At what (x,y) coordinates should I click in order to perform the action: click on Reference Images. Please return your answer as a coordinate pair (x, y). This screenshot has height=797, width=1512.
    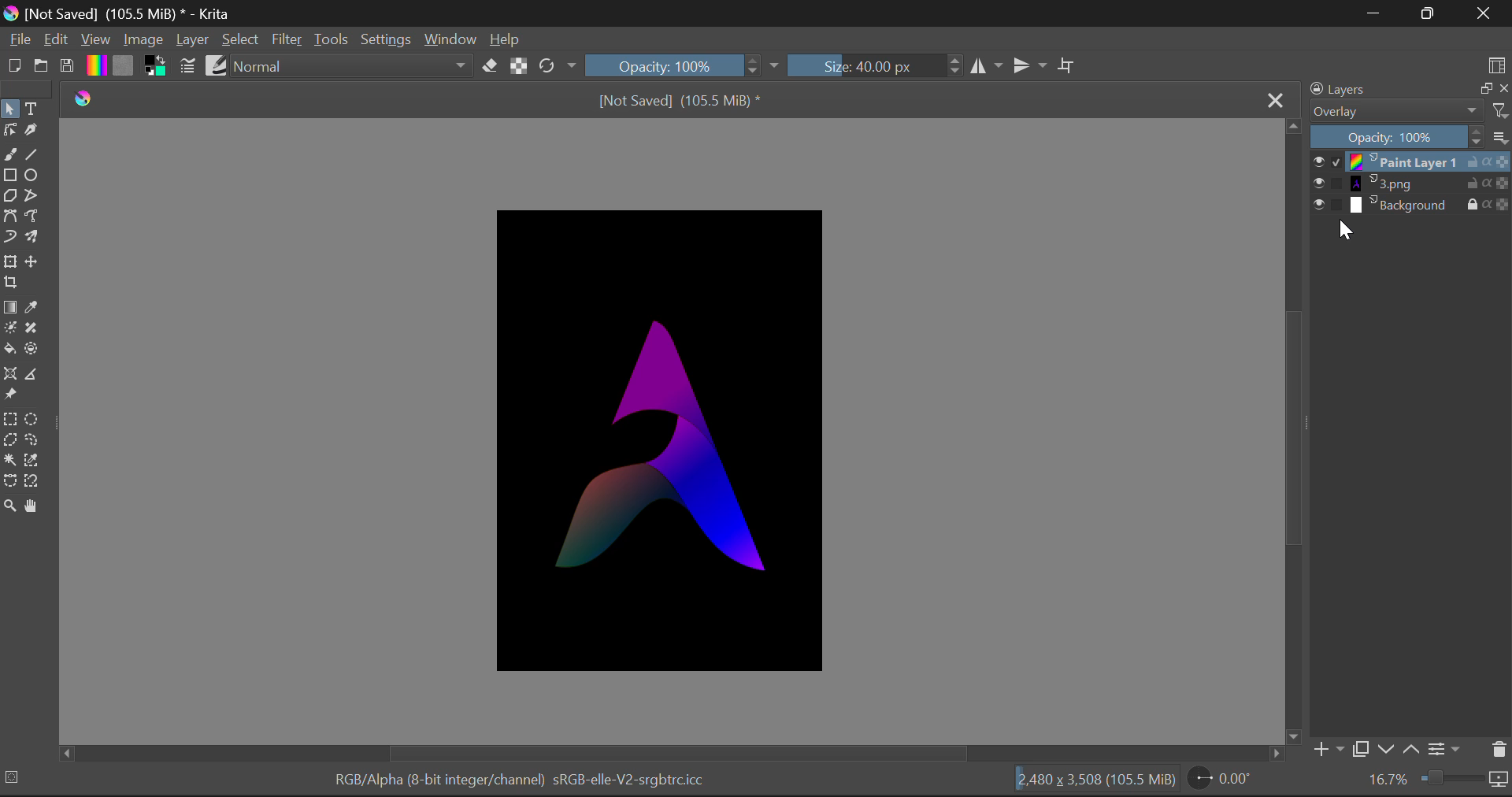
    Looking at the image, I should click on (10, 396).